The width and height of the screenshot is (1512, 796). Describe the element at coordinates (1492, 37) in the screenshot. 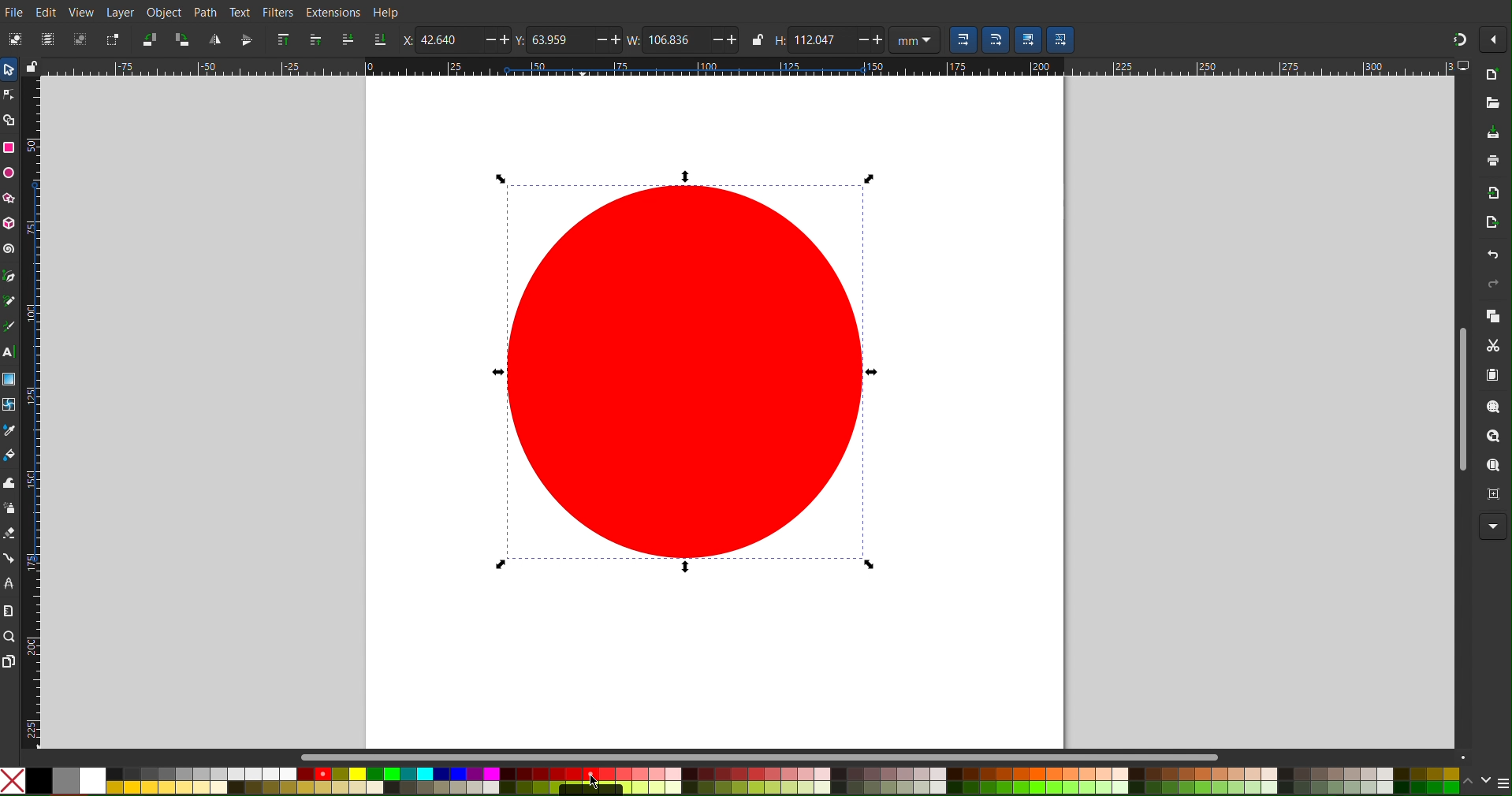

I see `More Options` at that location.